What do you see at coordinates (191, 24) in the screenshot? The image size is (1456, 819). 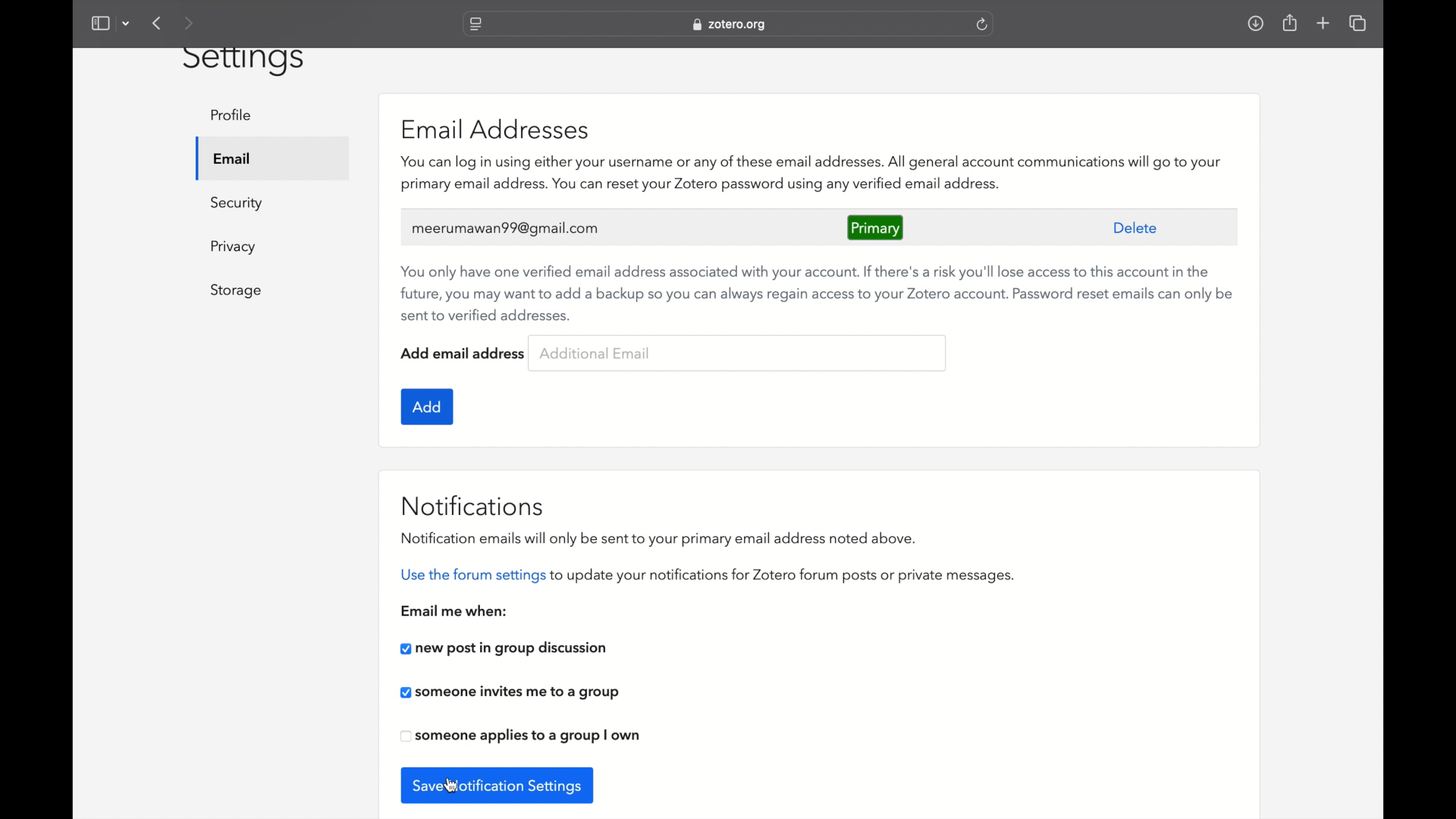 I see `next` at bounding box center [191, 24].